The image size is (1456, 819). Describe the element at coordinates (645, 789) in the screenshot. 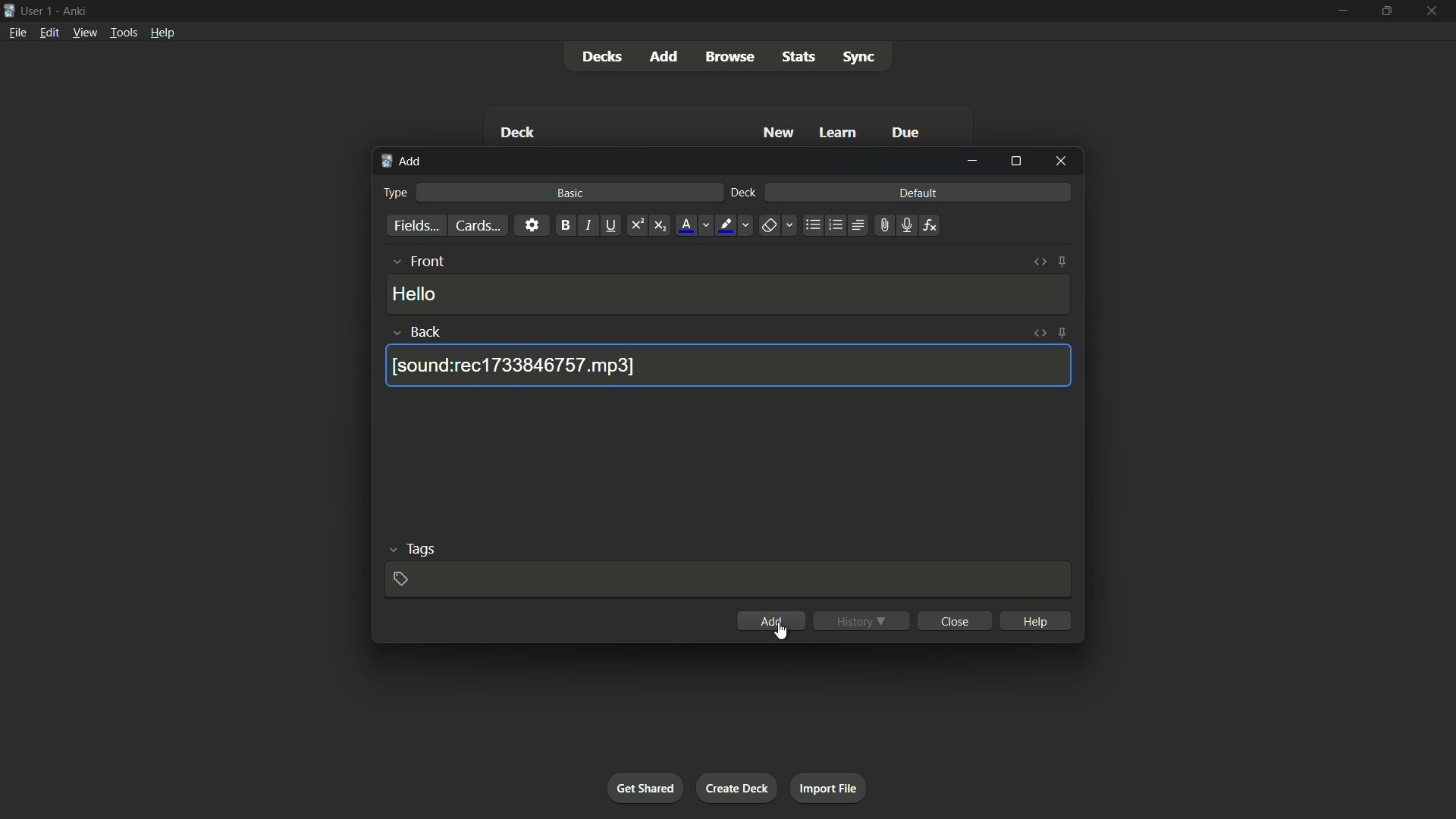

I see `get shared` at that location.